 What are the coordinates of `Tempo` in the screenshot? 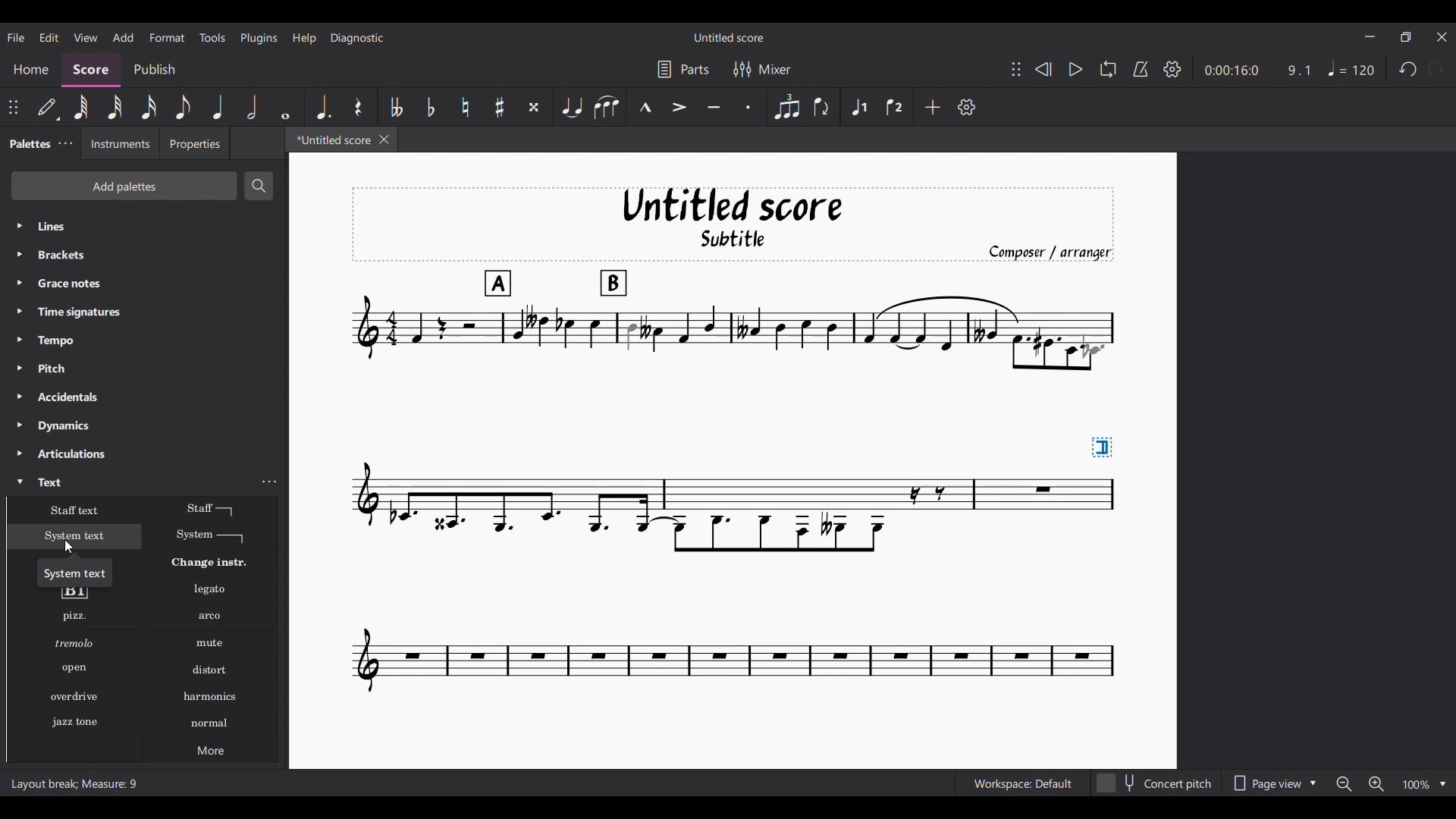 It's located at (1351, 69).